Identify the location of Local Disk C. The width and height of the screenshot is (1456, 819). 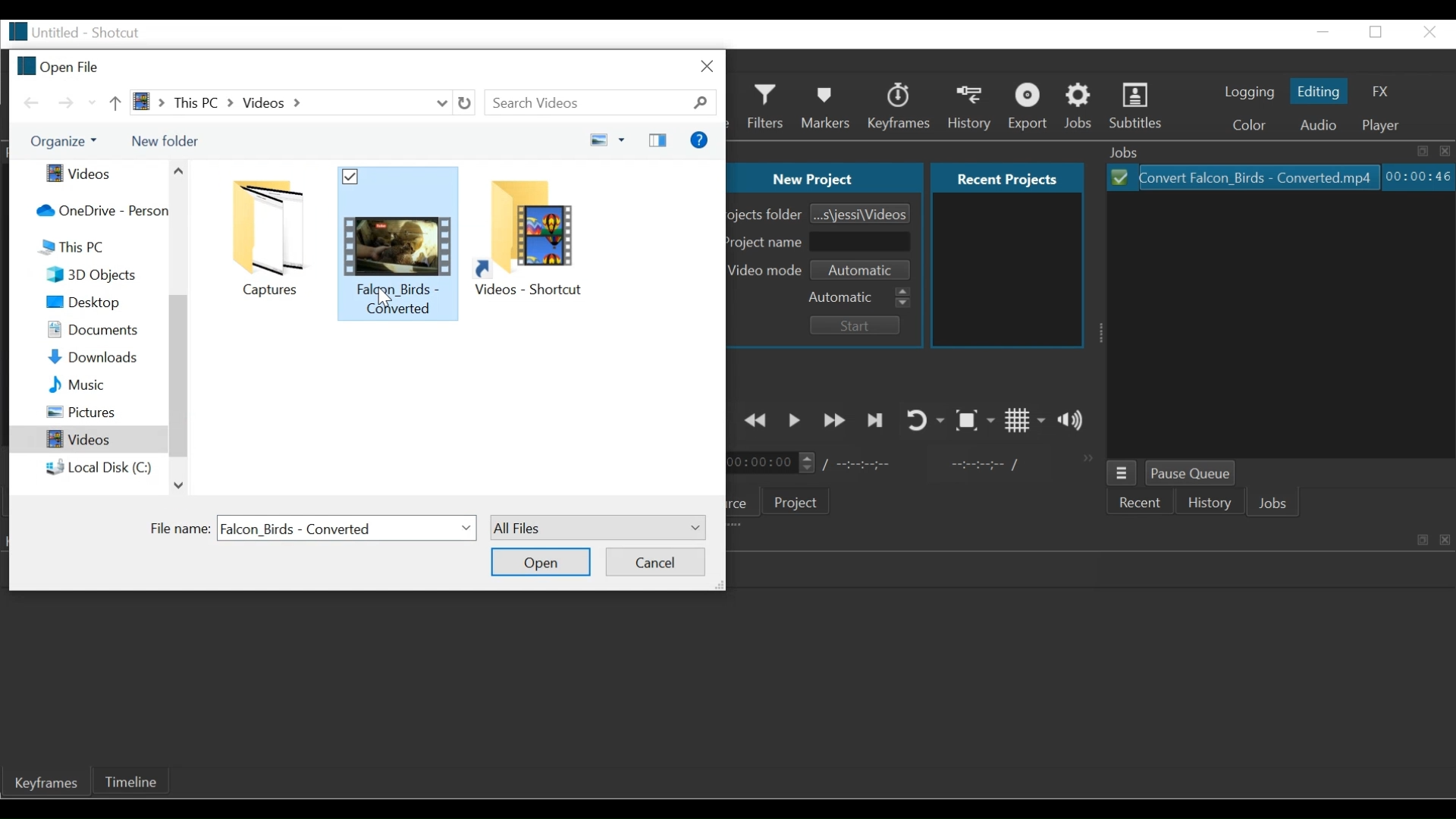
(99, 467).